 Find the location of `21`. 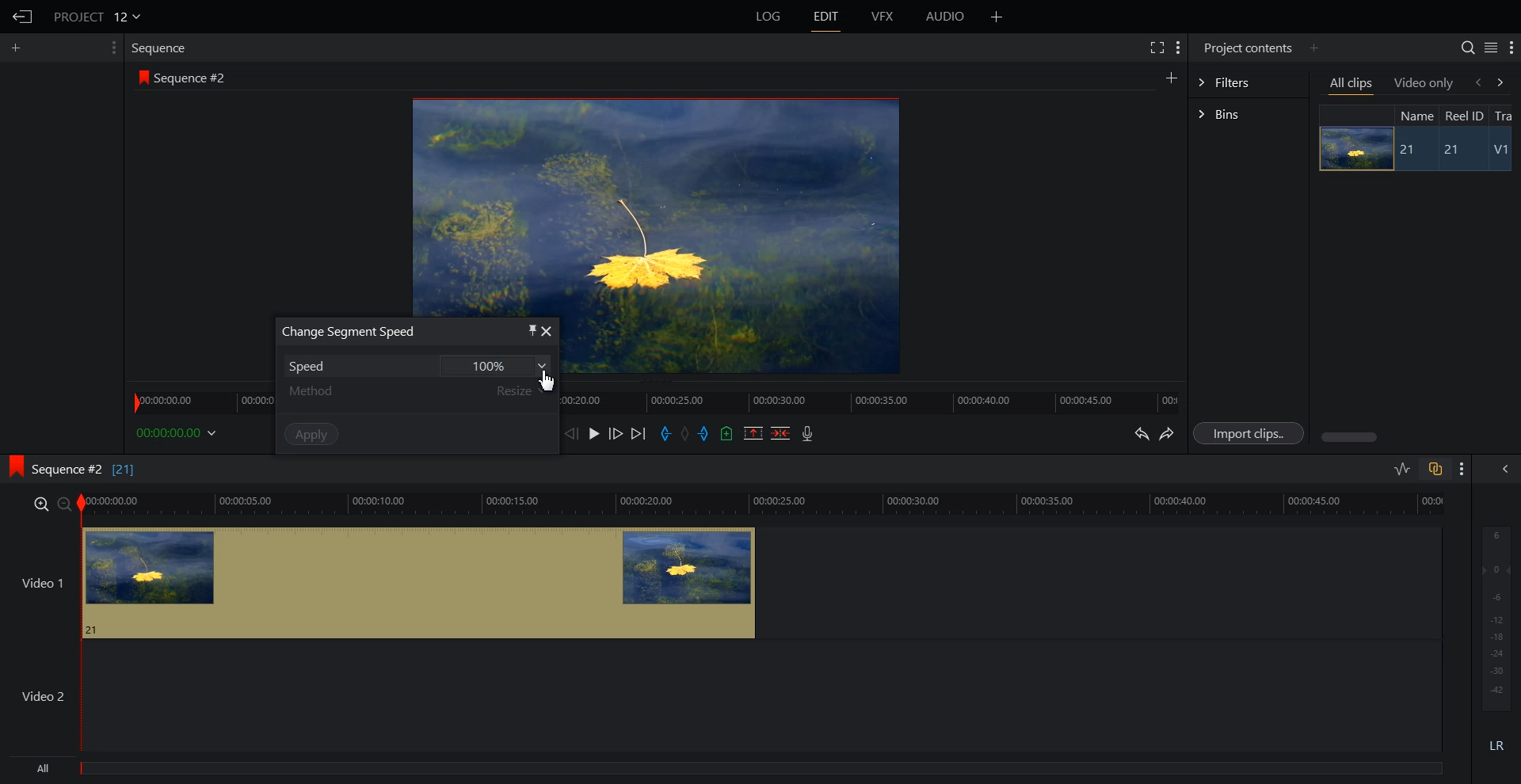

21 is located at coordinates (1458, 150).